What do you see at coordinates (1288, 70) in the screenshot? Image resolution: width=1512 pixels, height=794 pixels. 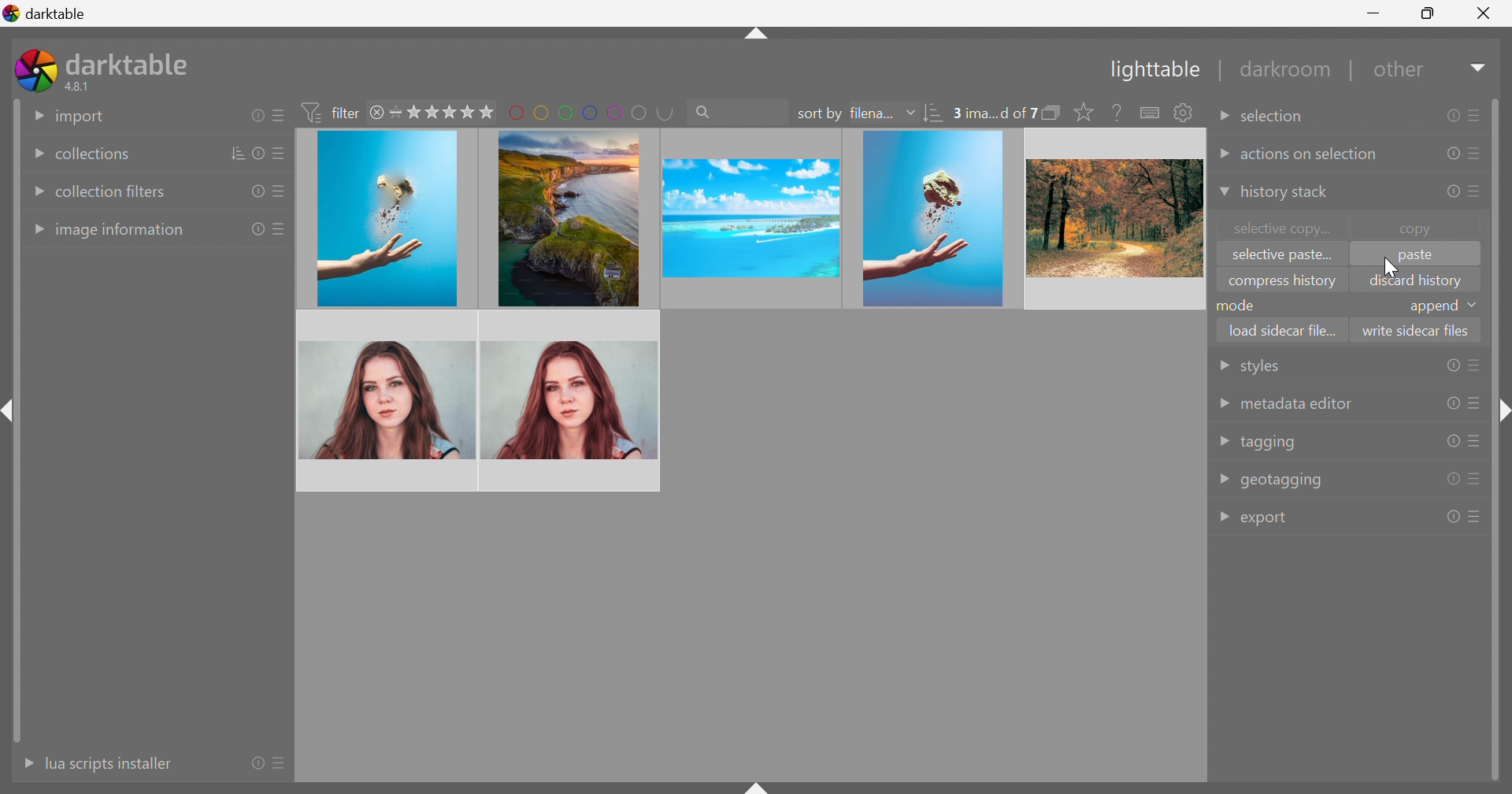 I see `darkroom` at bounding box center [1288, 70].